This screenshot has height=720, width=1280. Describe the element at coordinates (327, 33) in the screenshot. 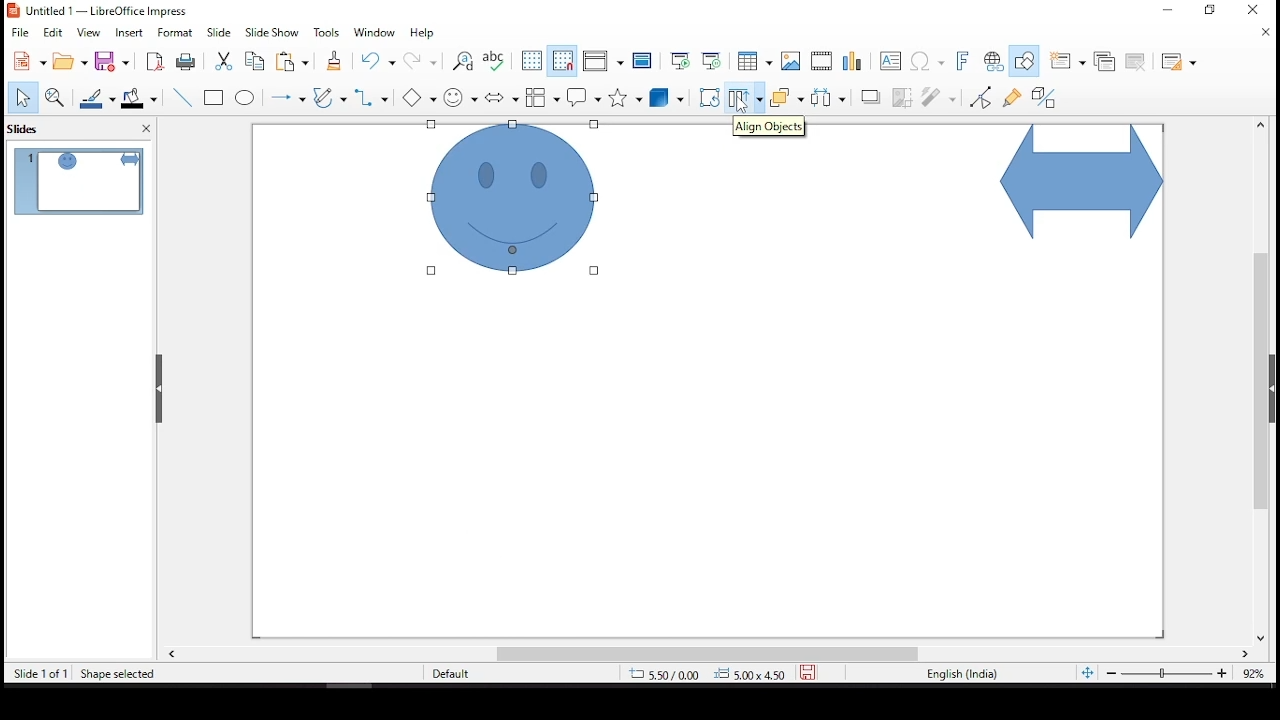

I see `tools` at that location.